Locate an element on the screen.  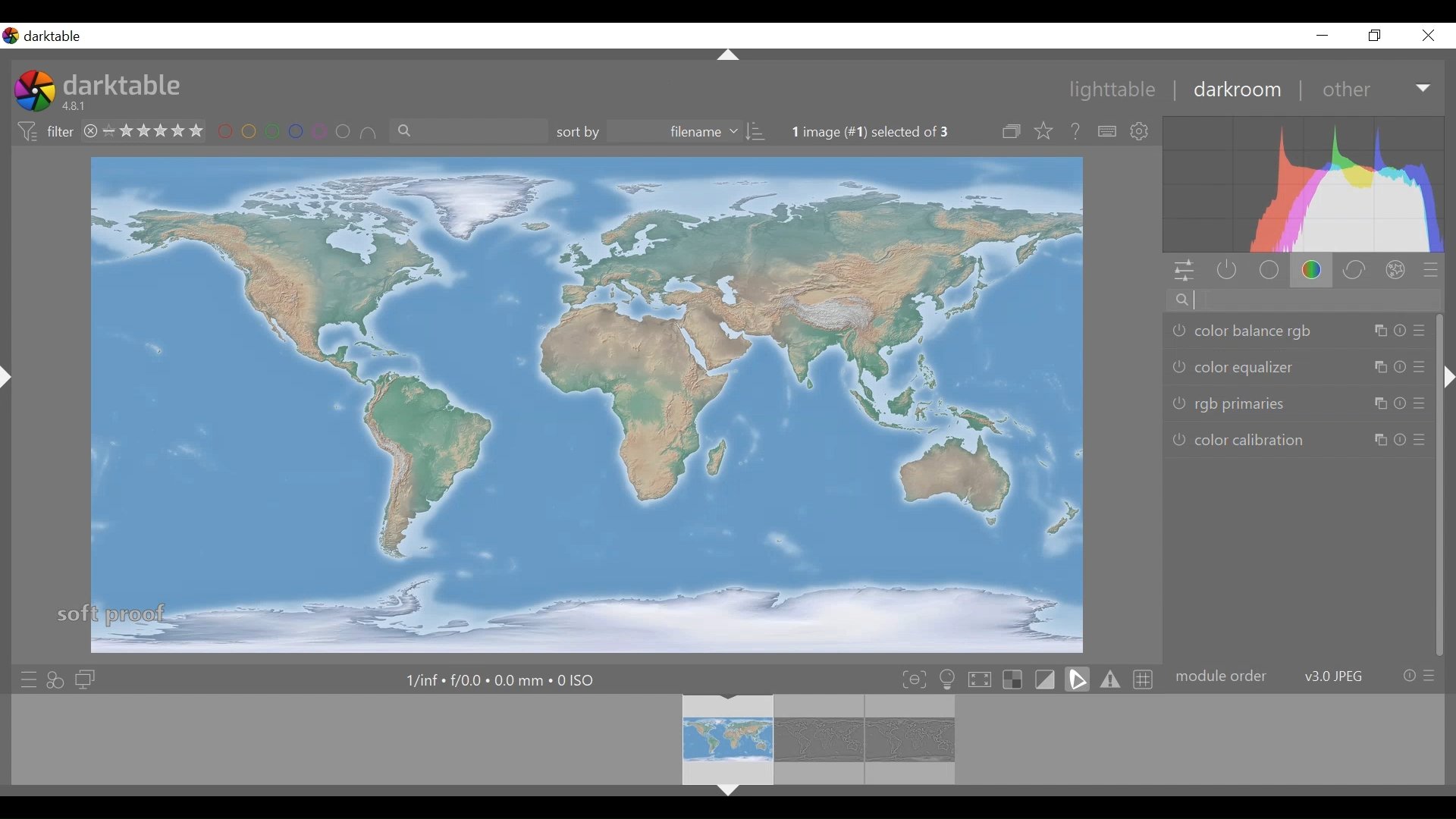
main editing area is located at coordinates (583, 403).